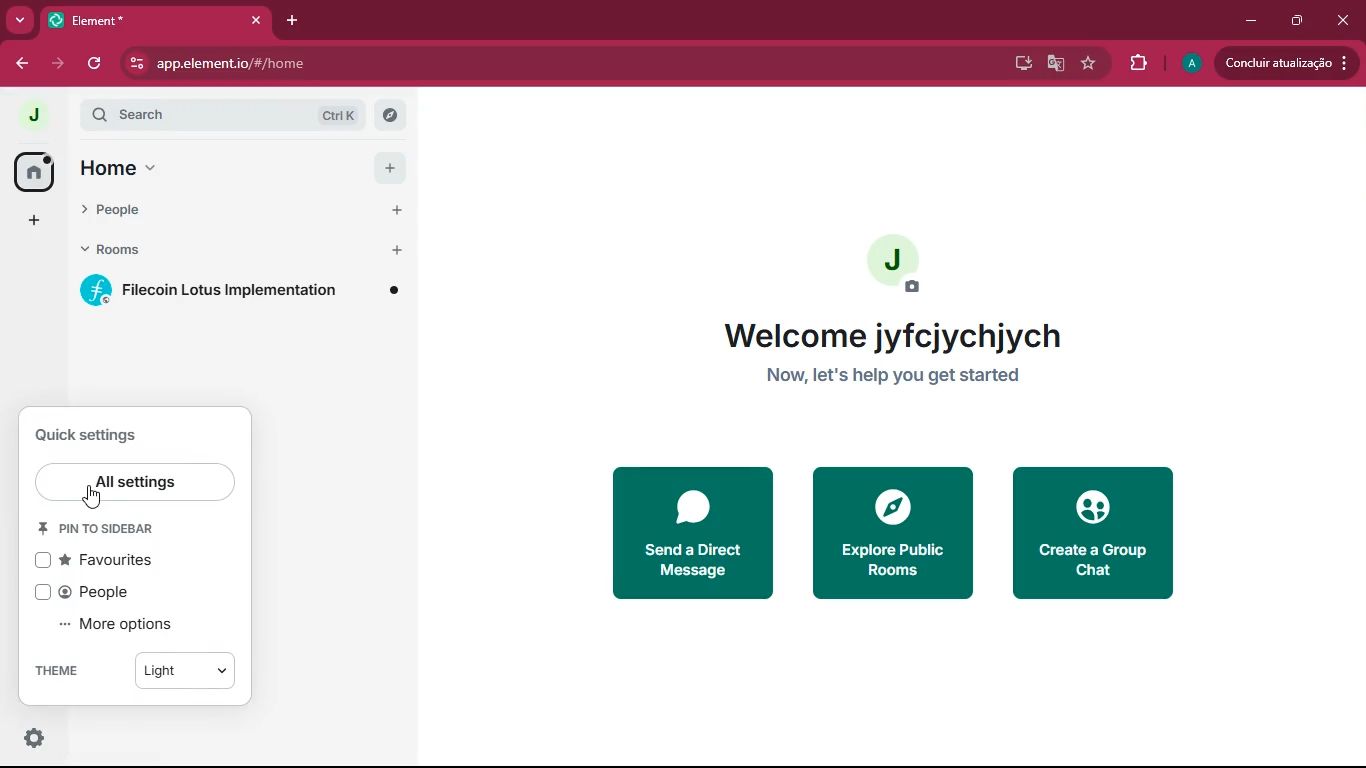  What do you see at coordinates (100, 592) in the screenshot?
I see `people` at bounding box center [100, 592].